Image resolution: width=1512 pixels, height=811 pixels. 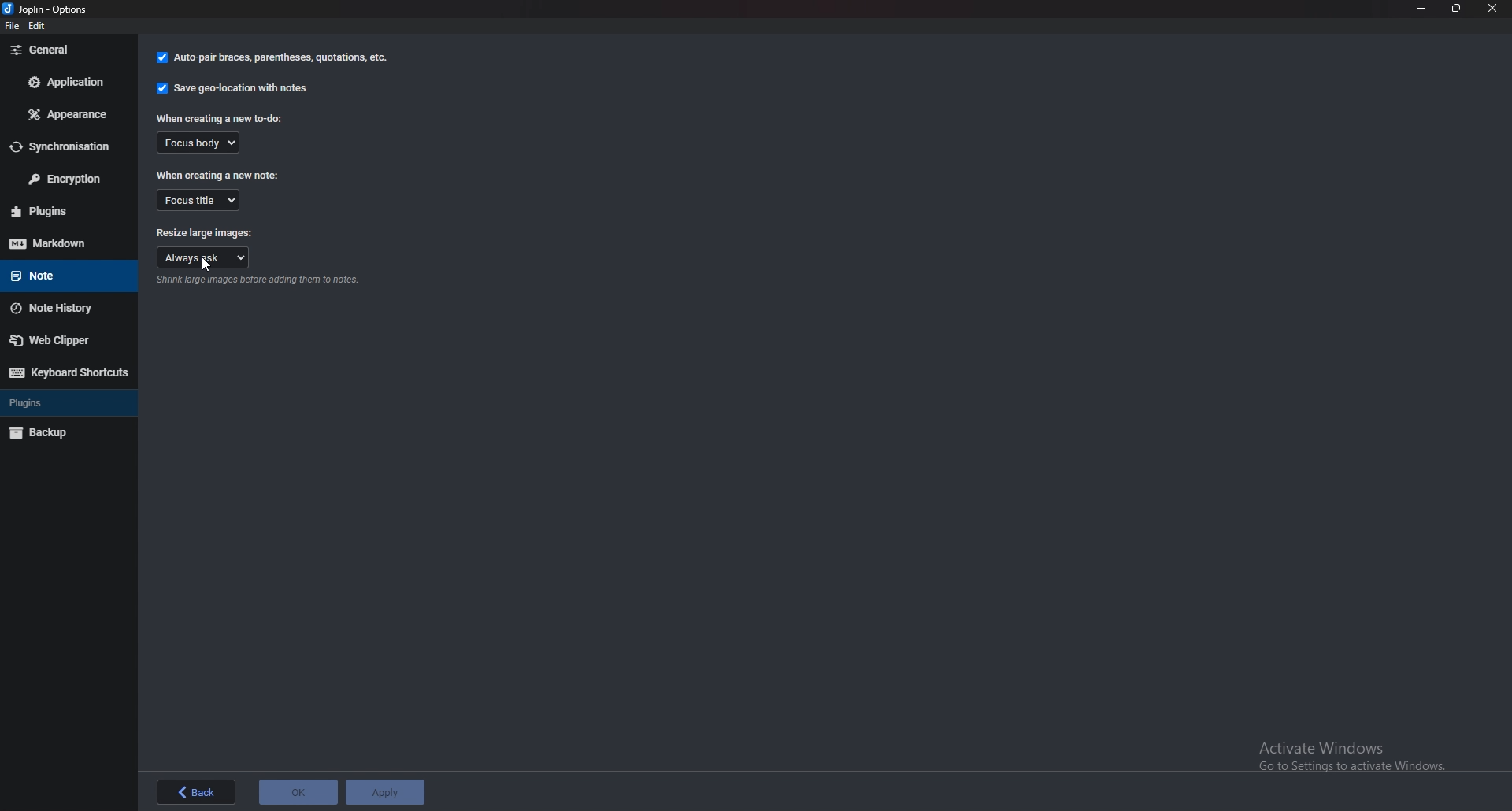 I want to click on apply, so click(x=385, y=791).